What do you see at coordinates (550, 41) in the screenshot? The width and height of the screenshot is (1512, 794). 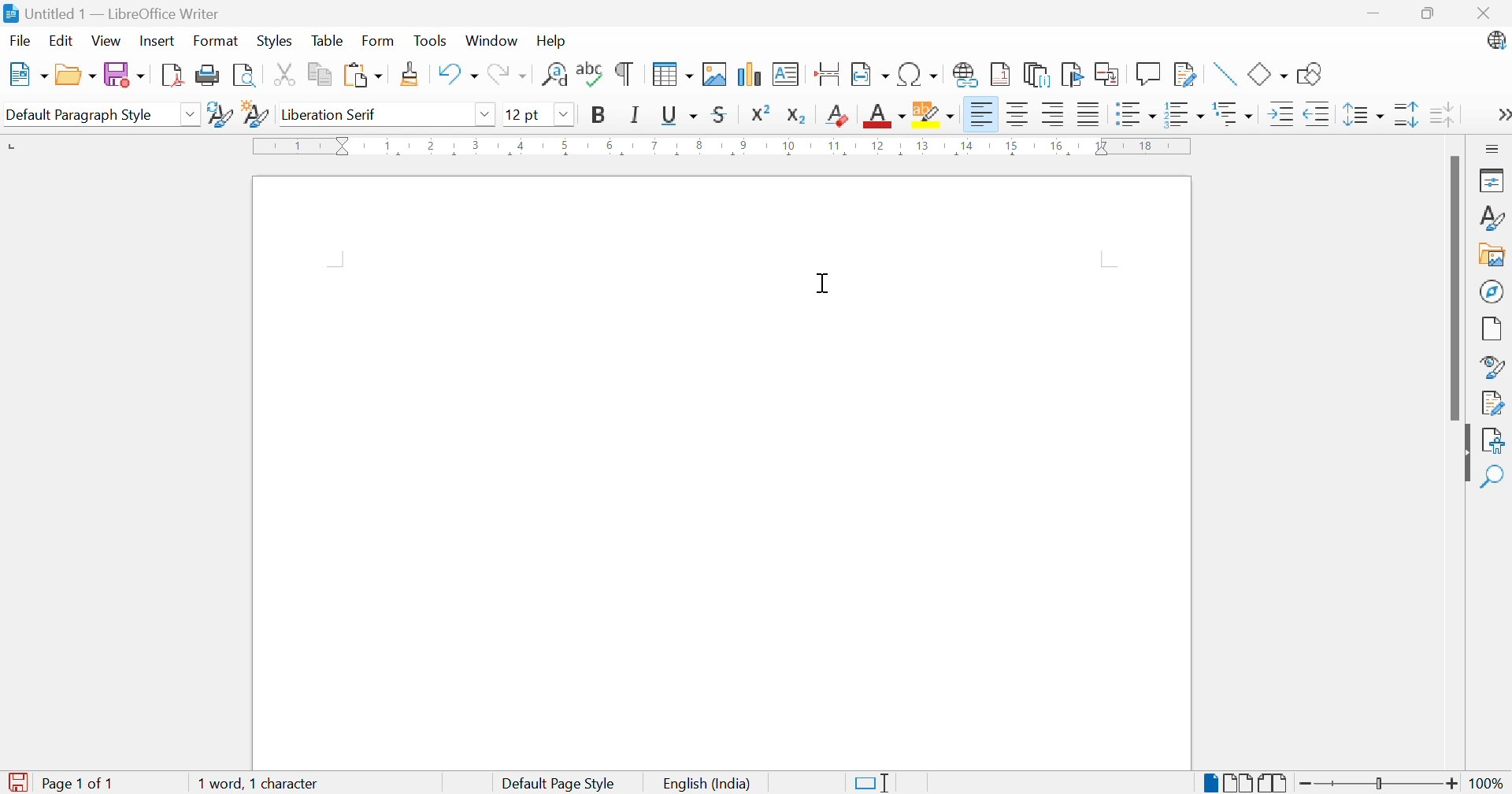 I see `Help` at bounding box center [550, 41].